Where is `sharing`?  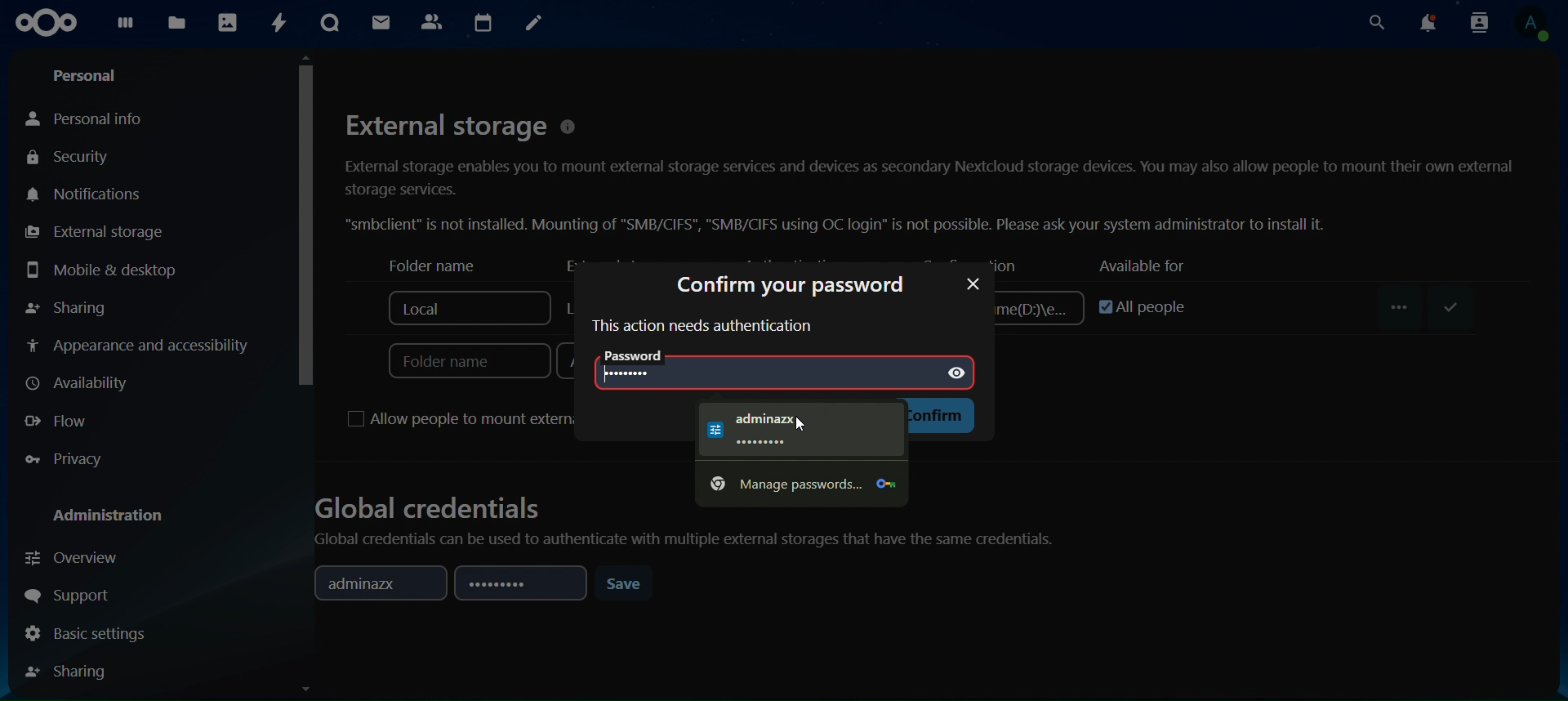 sharing is located at coordinates (69, 308).